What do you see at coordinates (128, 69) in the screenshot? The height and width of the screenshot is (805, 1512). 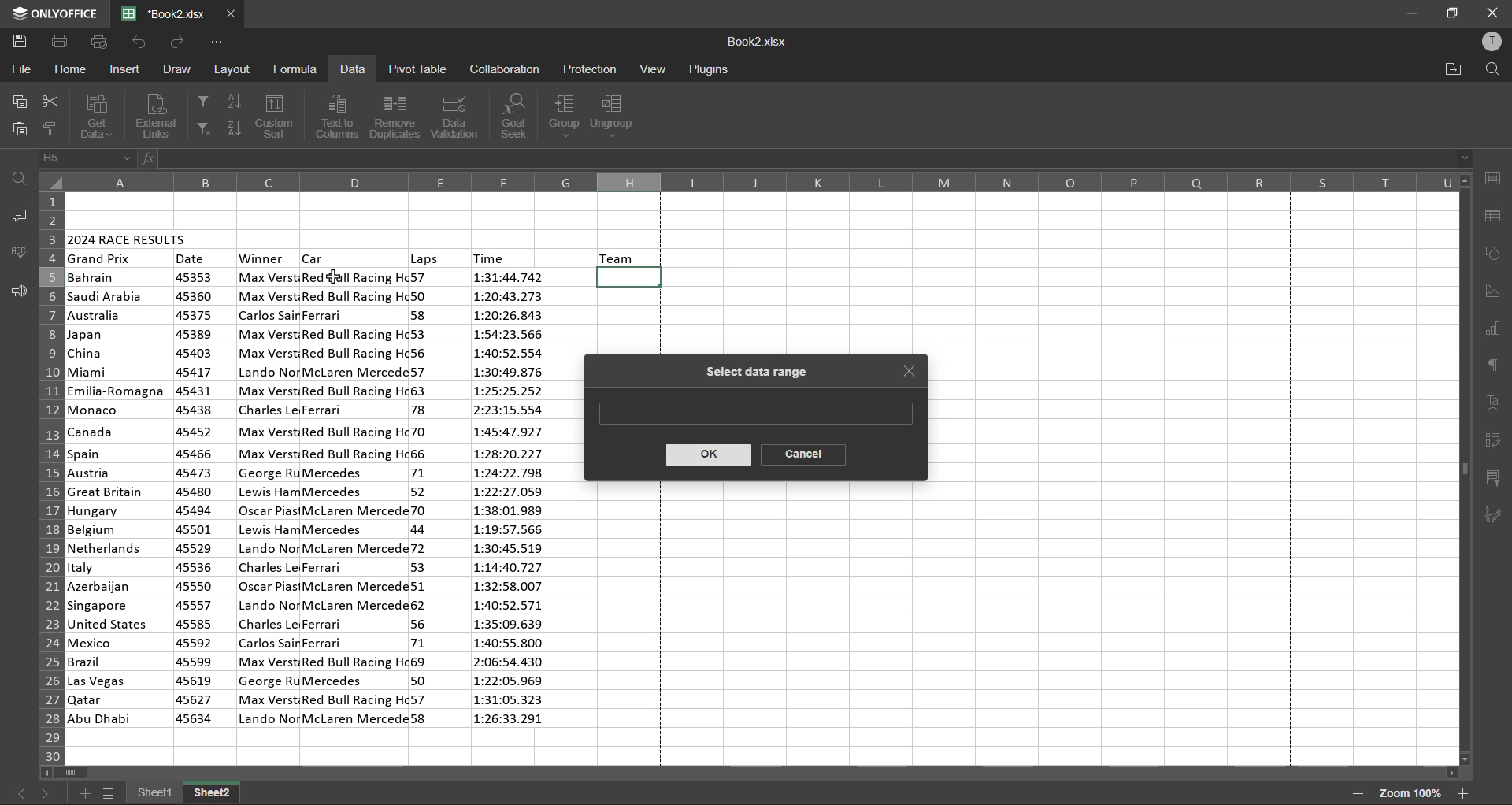 I see `insert` at bounding box center [128, 69].